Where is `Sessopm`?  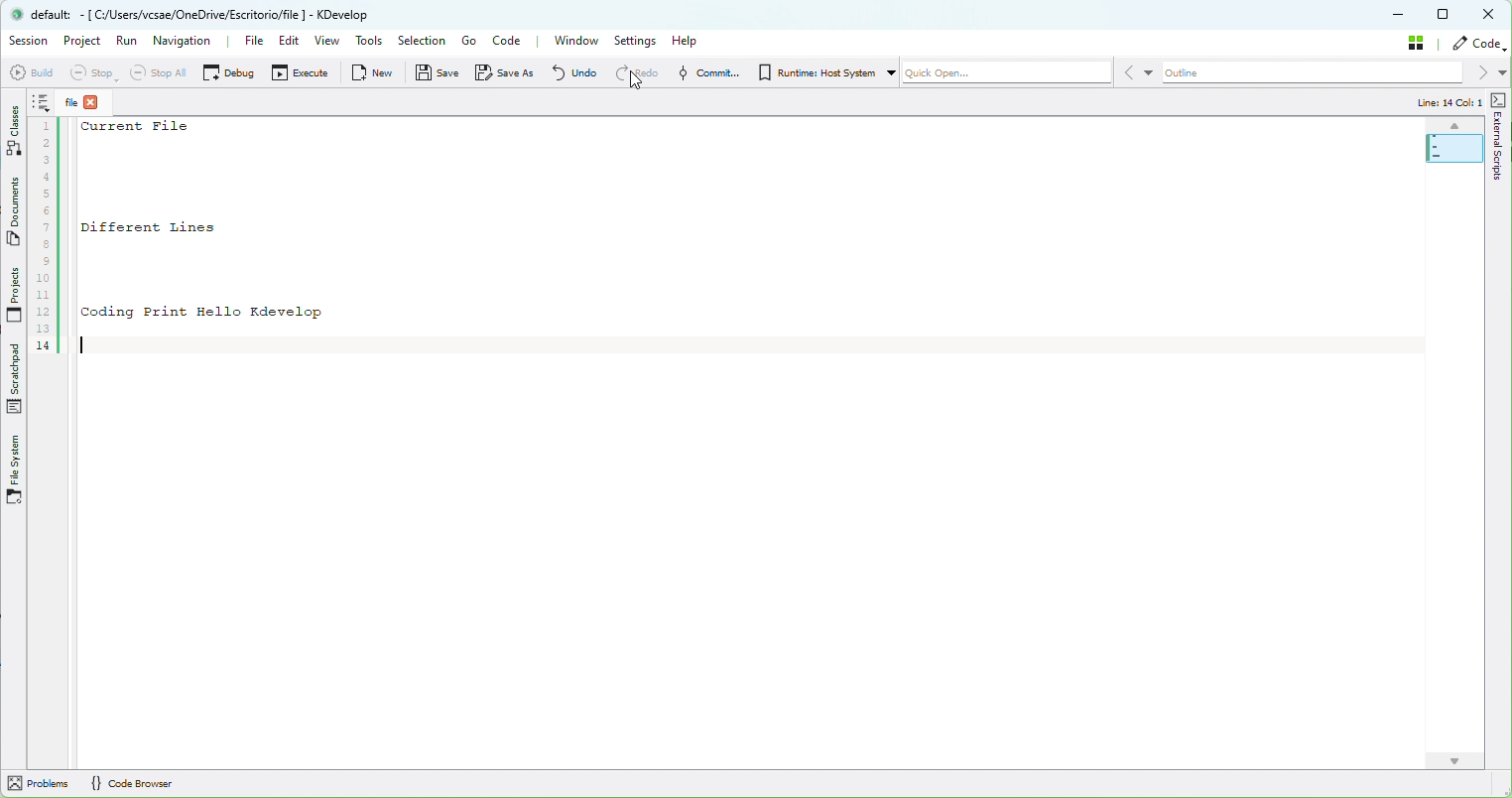
Sessopm is located at coordinates (30, 44).